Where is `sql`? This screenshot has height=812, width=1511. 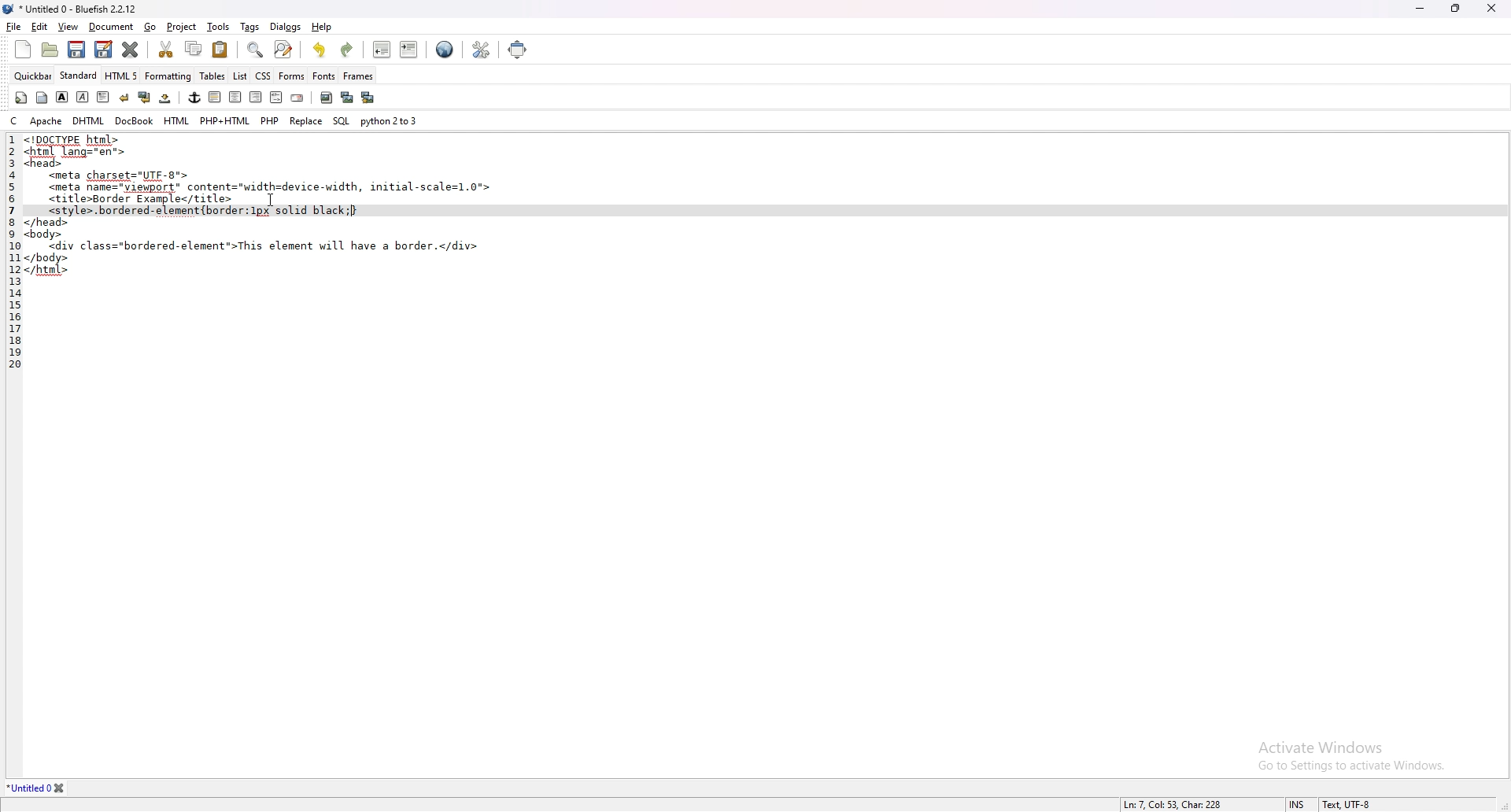 sql is located at coordinates (342, 121).